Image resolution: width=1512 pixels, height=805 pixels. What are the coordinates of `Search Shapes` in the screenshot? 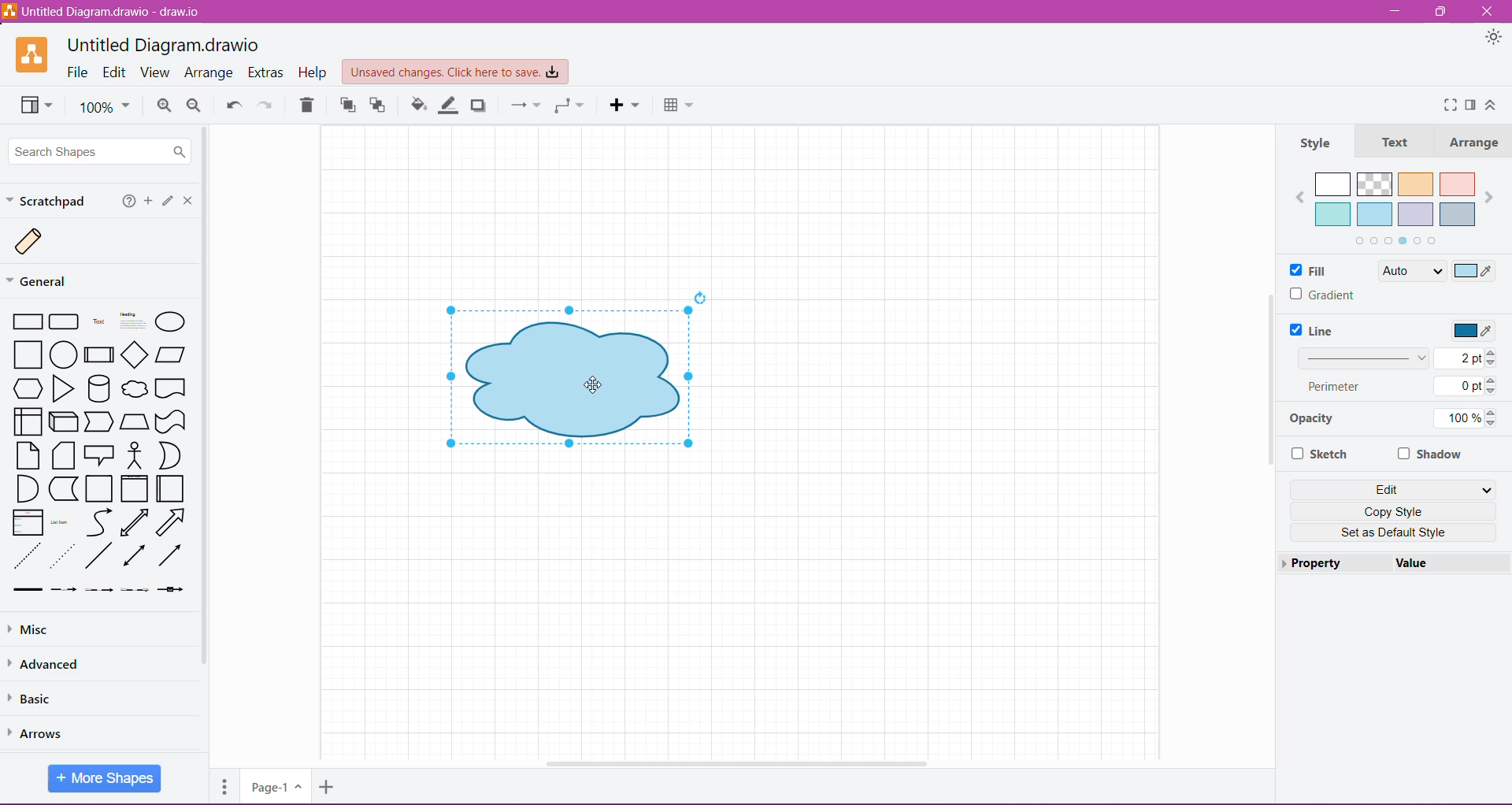 It's located at (98, 150).